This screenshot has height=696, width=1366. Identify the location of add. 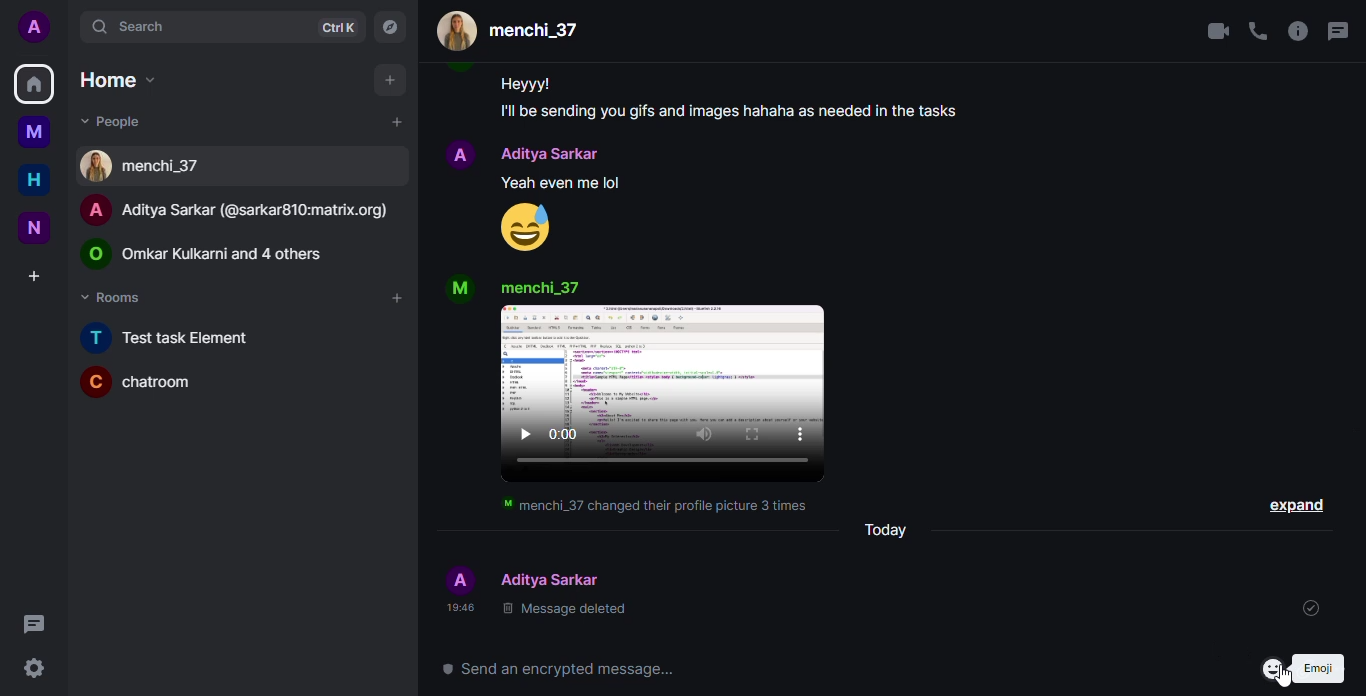
(395, 298).